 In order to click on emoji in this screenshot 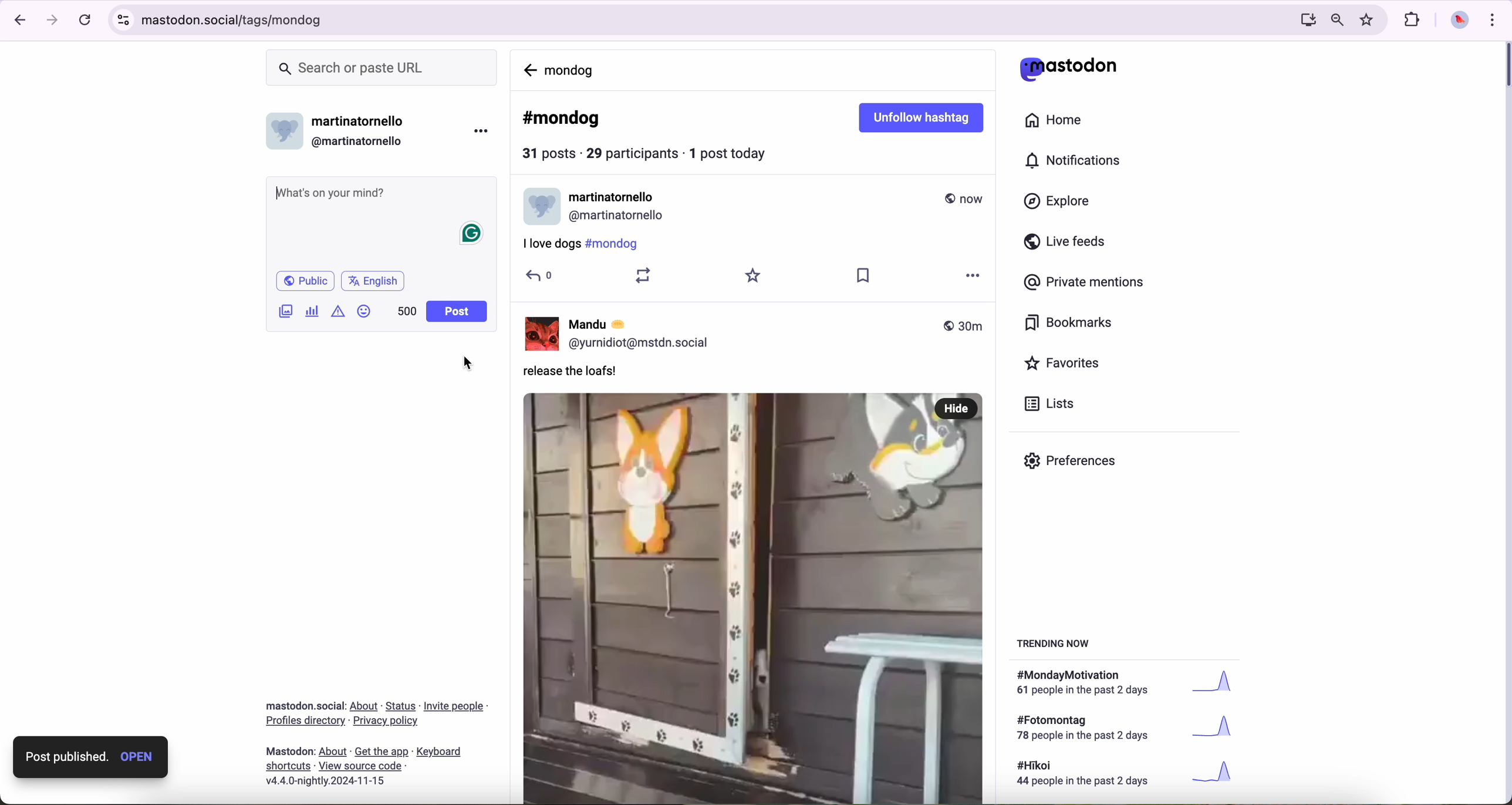, I will do `click(364, 312)`.